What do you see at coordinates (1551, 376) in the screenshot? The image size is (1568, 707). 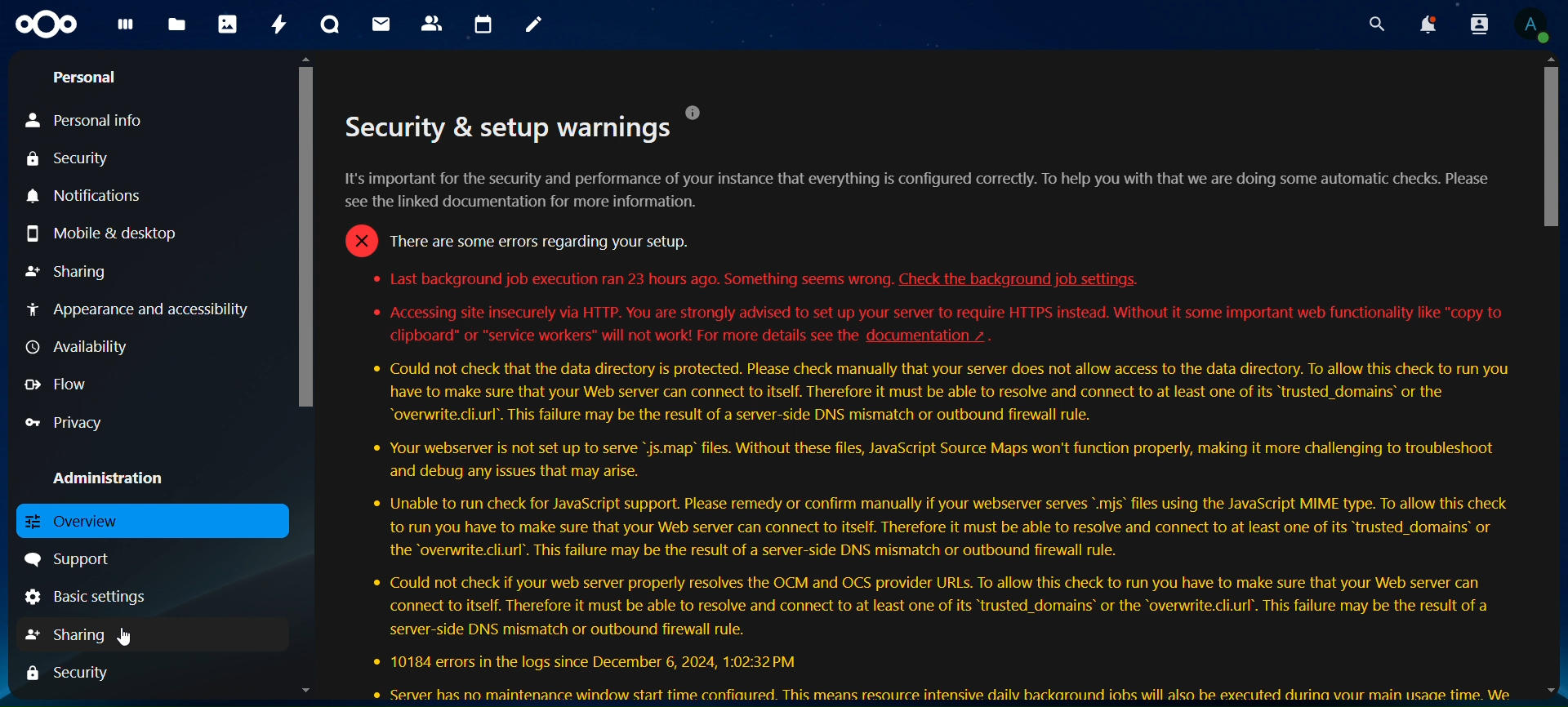 I see `Scrollbar` at bounding box center [1551, 376].